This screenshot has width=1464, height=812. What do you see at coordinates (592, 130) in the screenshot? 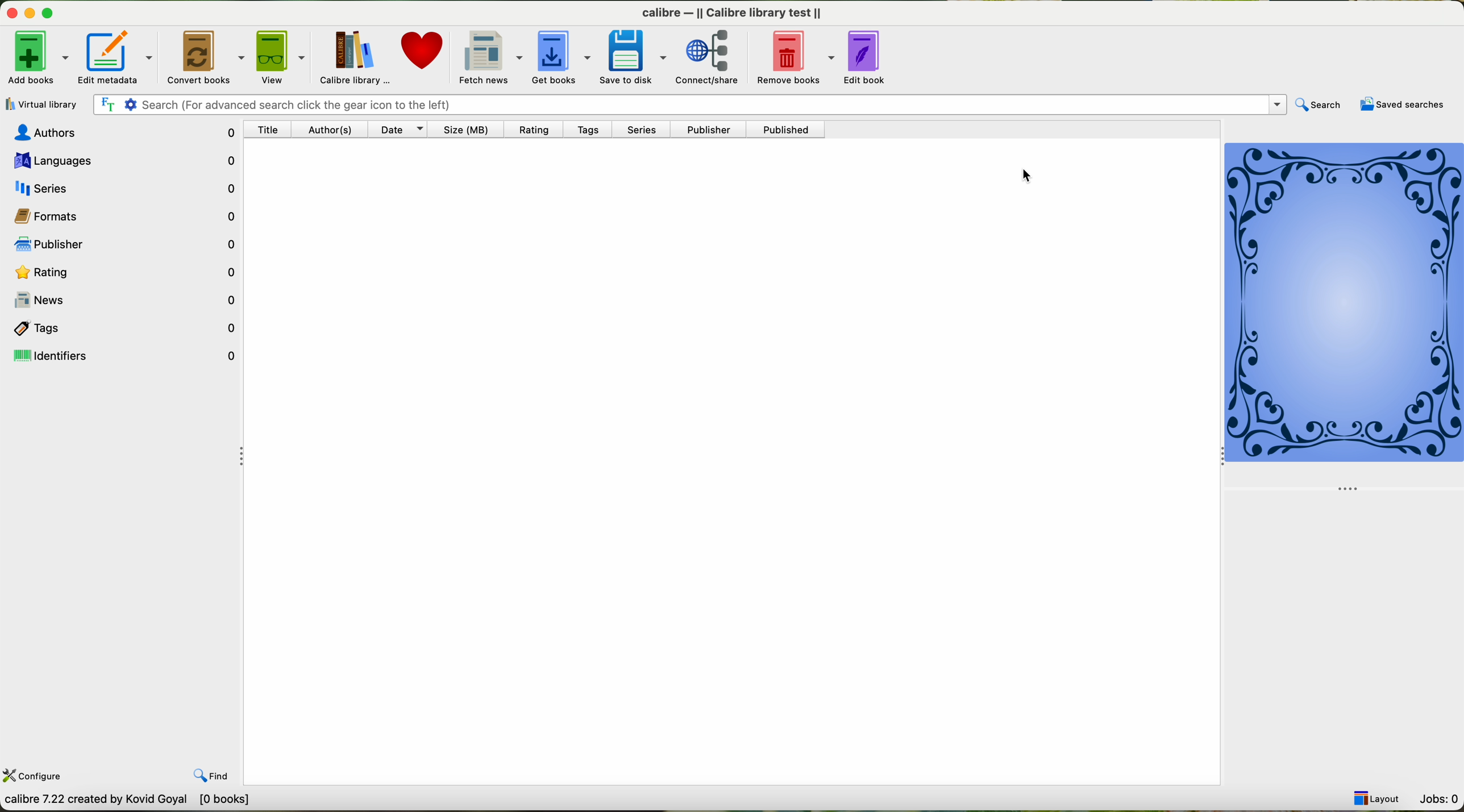
I see `tags` at bounding box center [592, 130].